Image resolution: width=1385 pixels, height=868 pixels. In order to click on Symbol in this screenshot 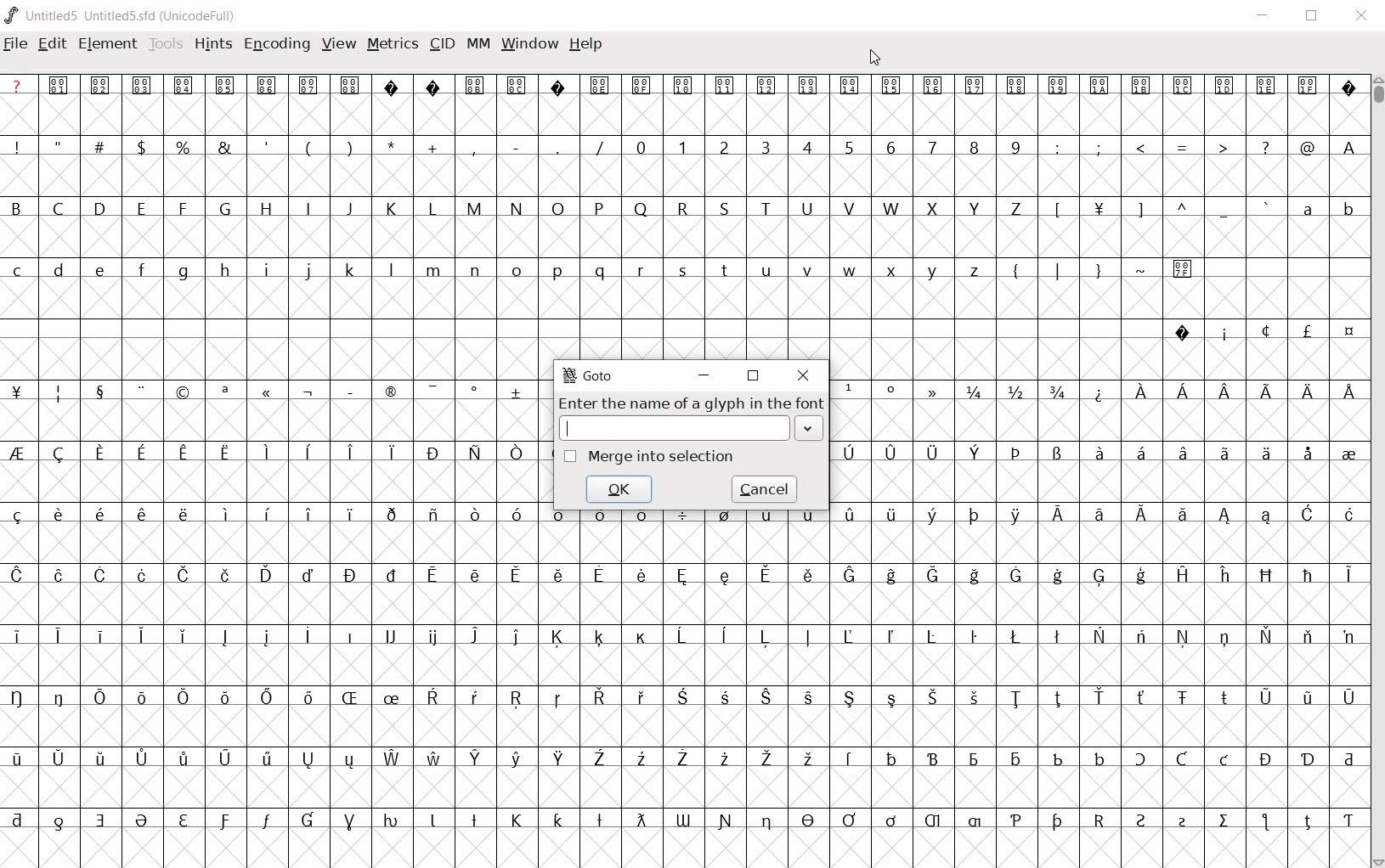, I will do `click(639, 820)`.